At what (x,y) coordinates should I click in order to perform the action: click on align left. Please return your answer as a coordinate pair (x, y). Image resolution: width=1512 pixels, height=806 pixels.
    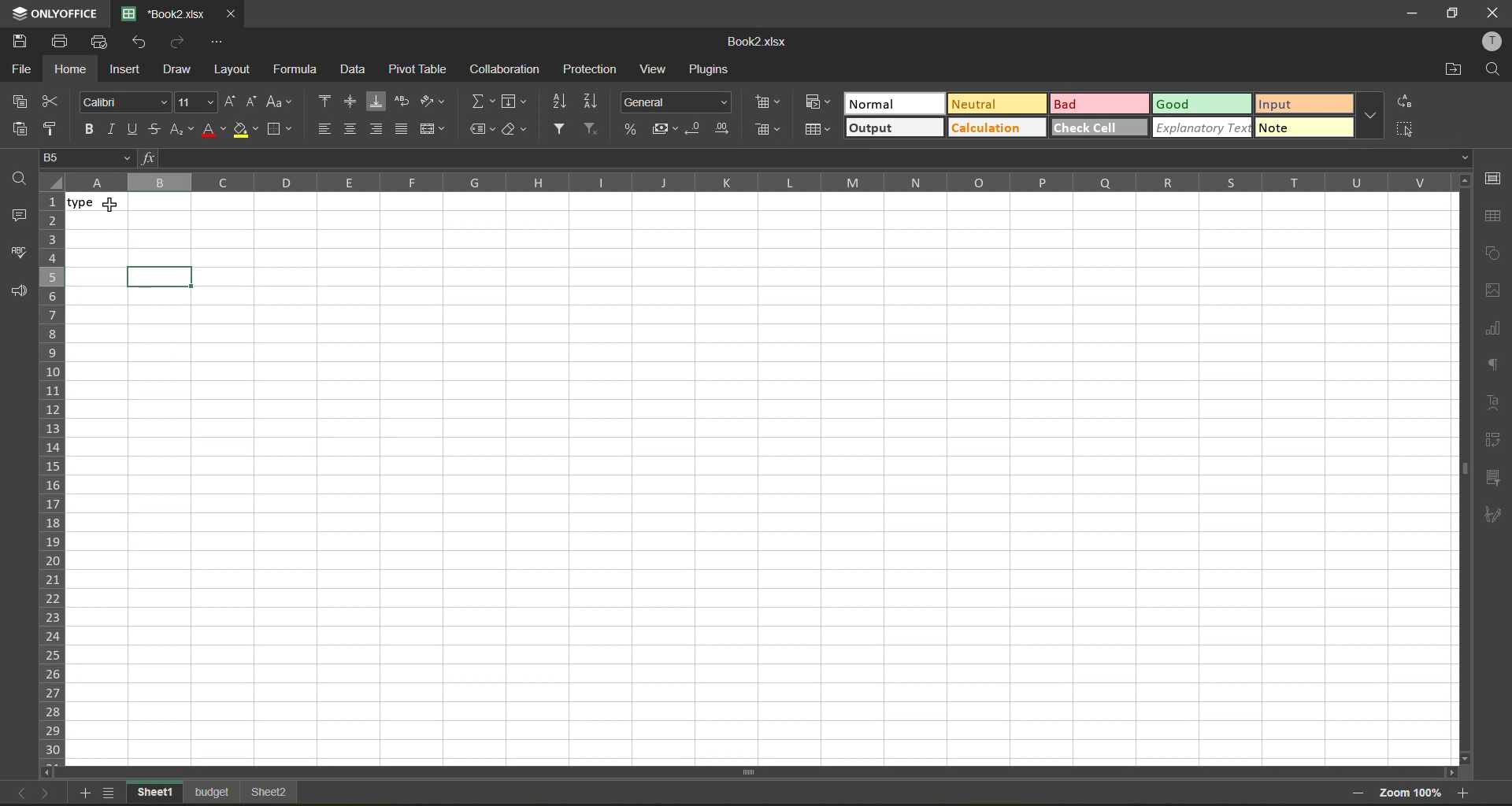
    Looking at the image, I should click on (326, 130).